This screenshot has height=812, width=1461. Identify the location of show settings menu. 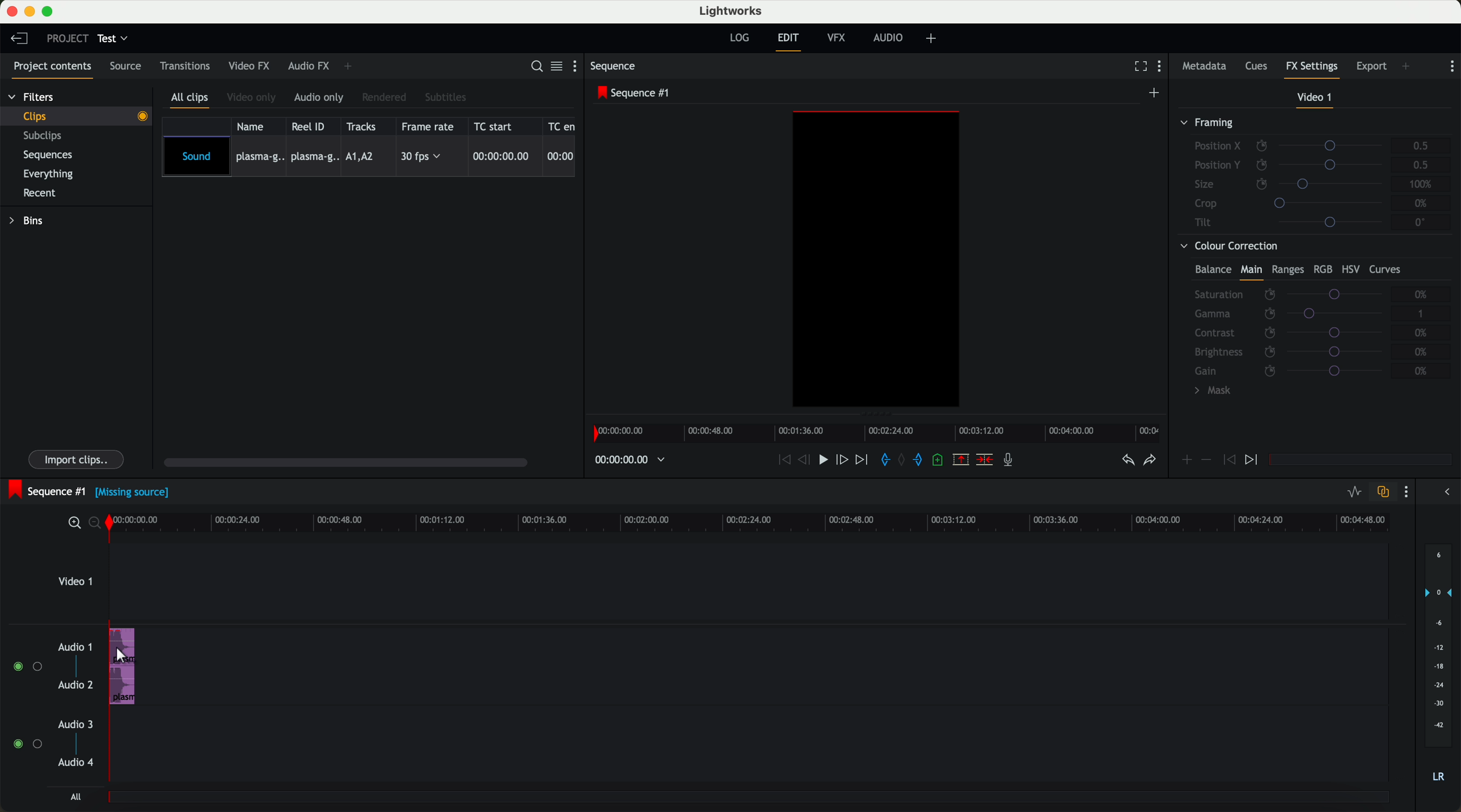
(1452, 66).